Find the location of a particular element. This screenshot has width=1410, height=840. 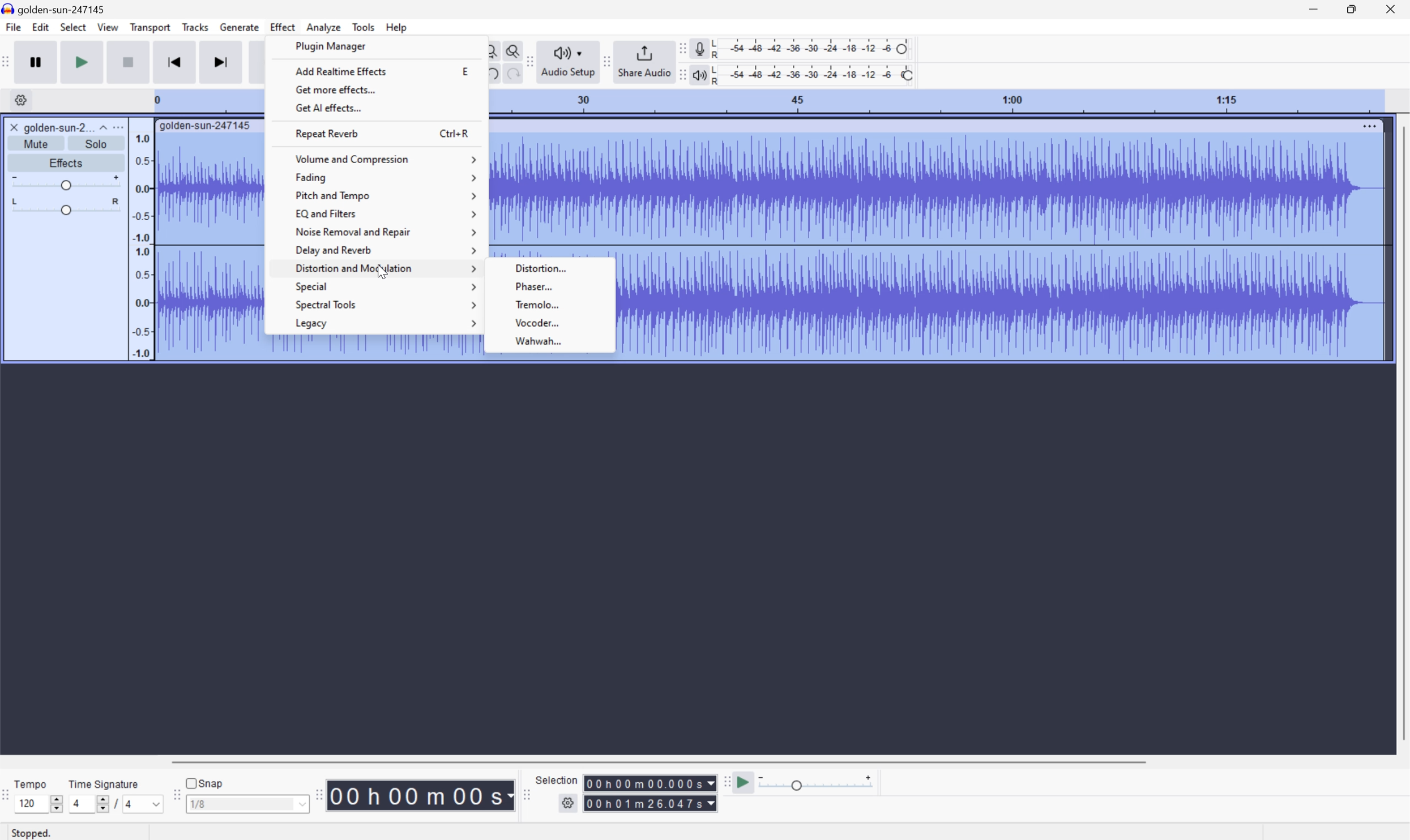

Stop is located at coordinates (127, 62).